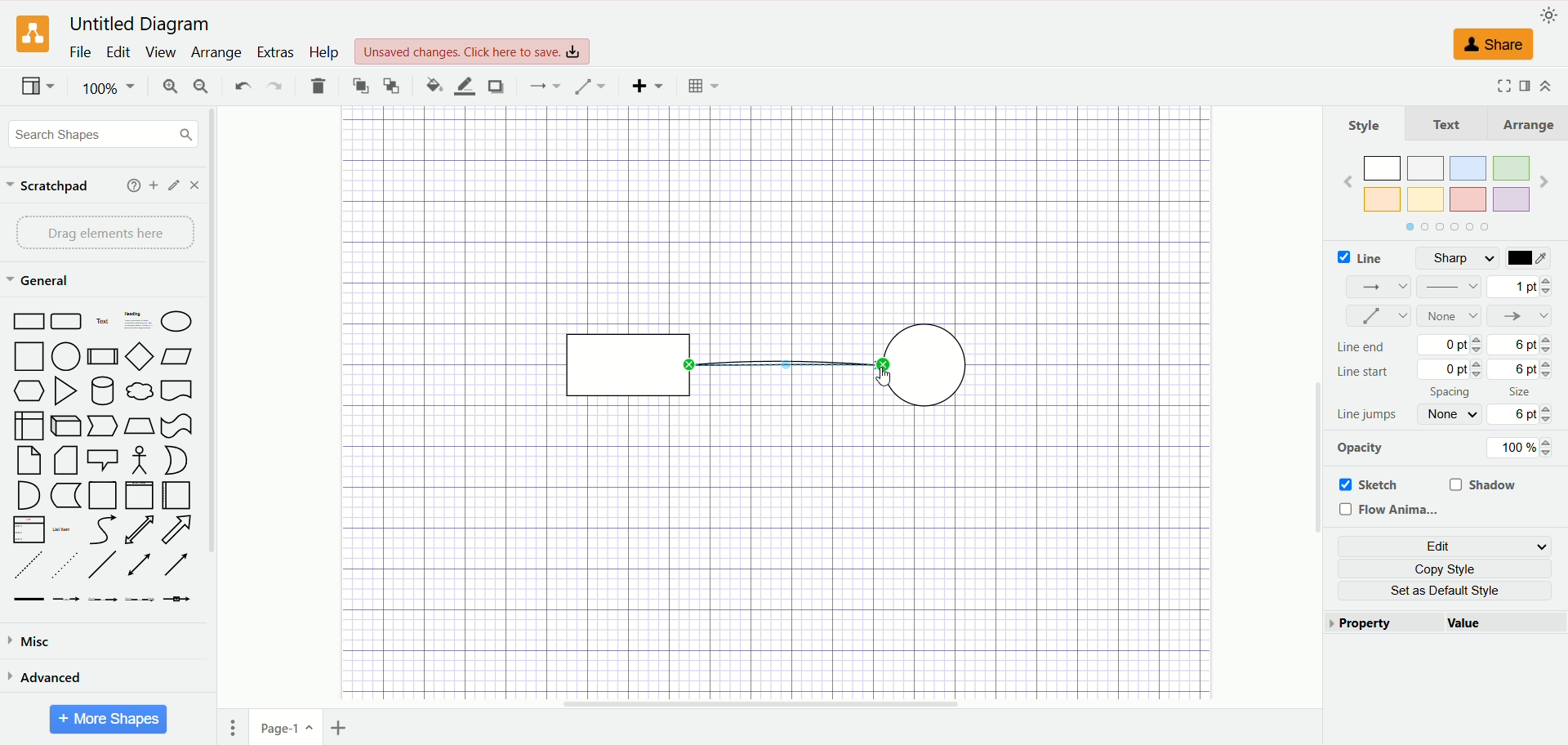 Image resolution: width=1568 pixels, height=745 pixels. Describe the element at coordinates (1449, 392) in the screenshot. I see `spacing` at that location.